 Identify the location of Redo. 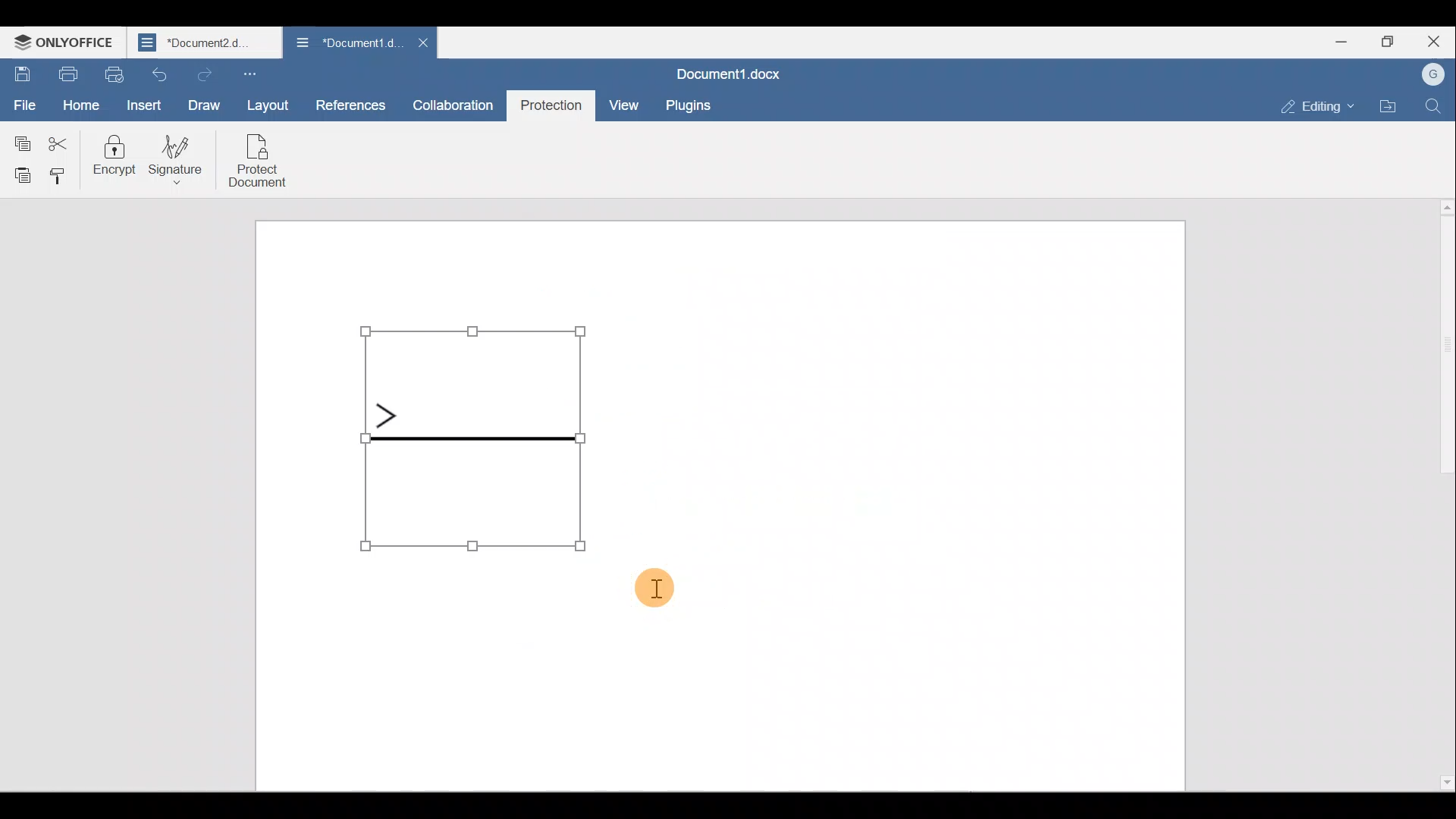
(202, 74).